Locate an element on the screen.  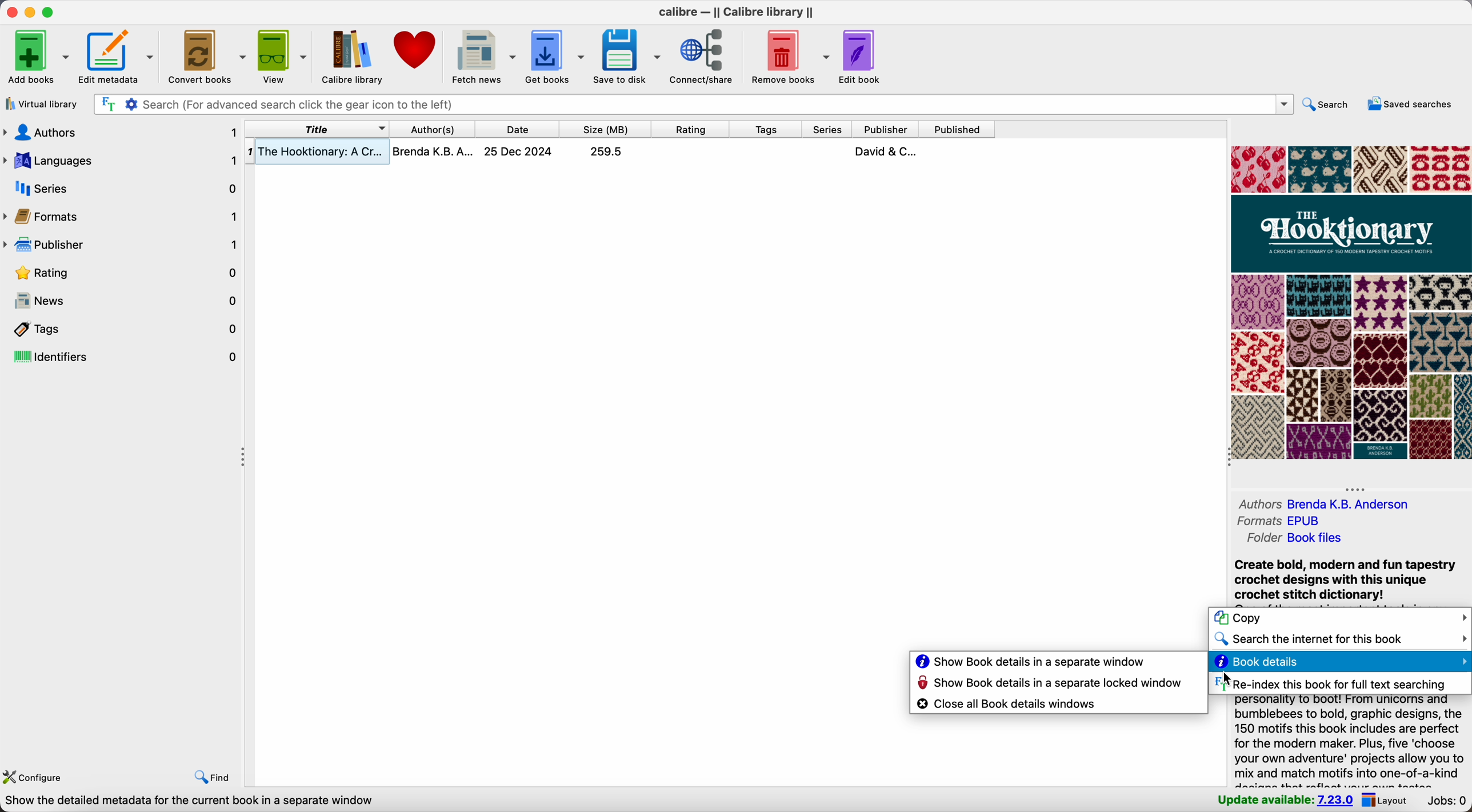
tags is located at coordinates (122, 329).